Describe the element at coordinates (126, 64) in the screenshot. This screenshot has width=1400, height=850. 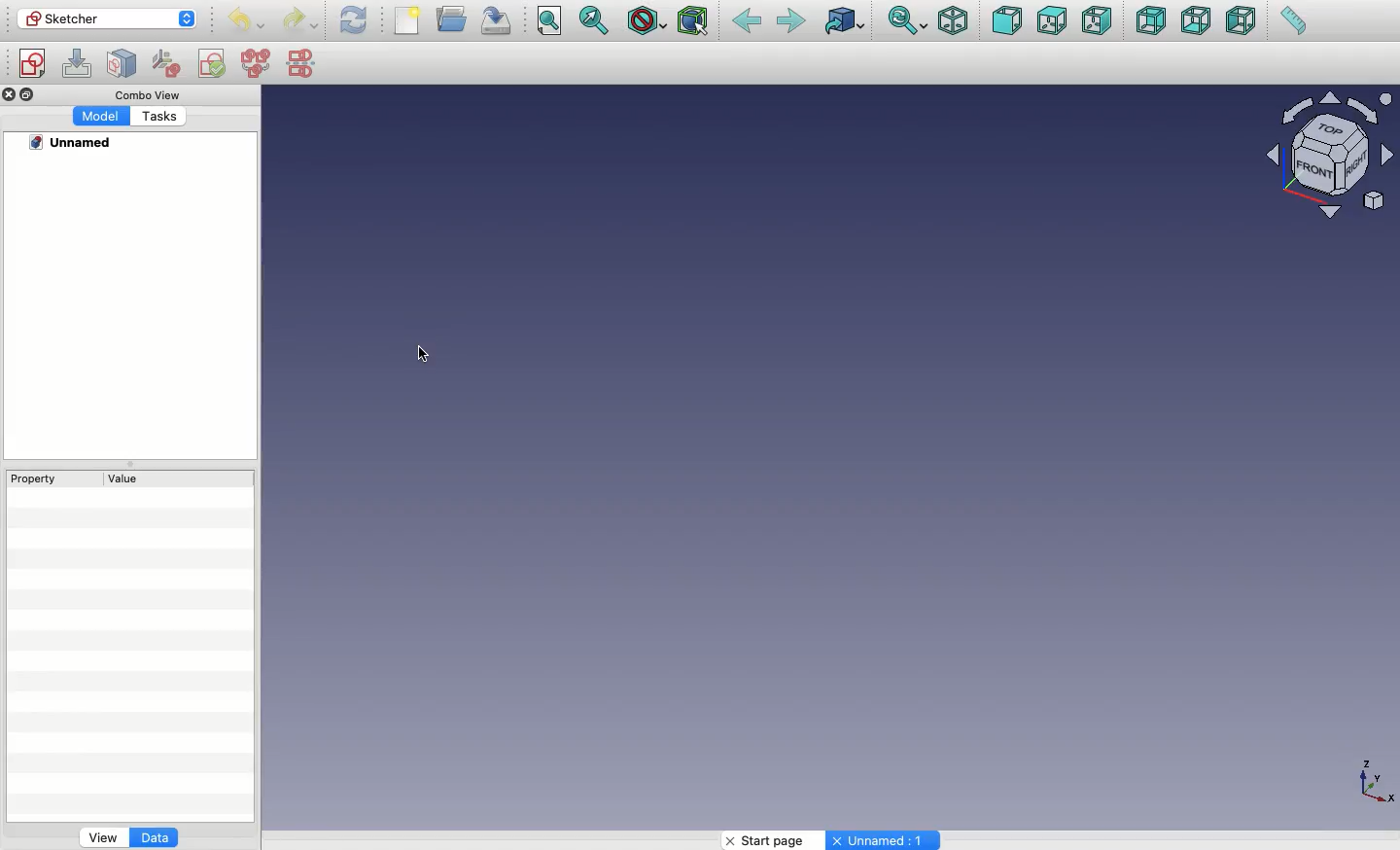
I see `Map sketch to face` at that location.